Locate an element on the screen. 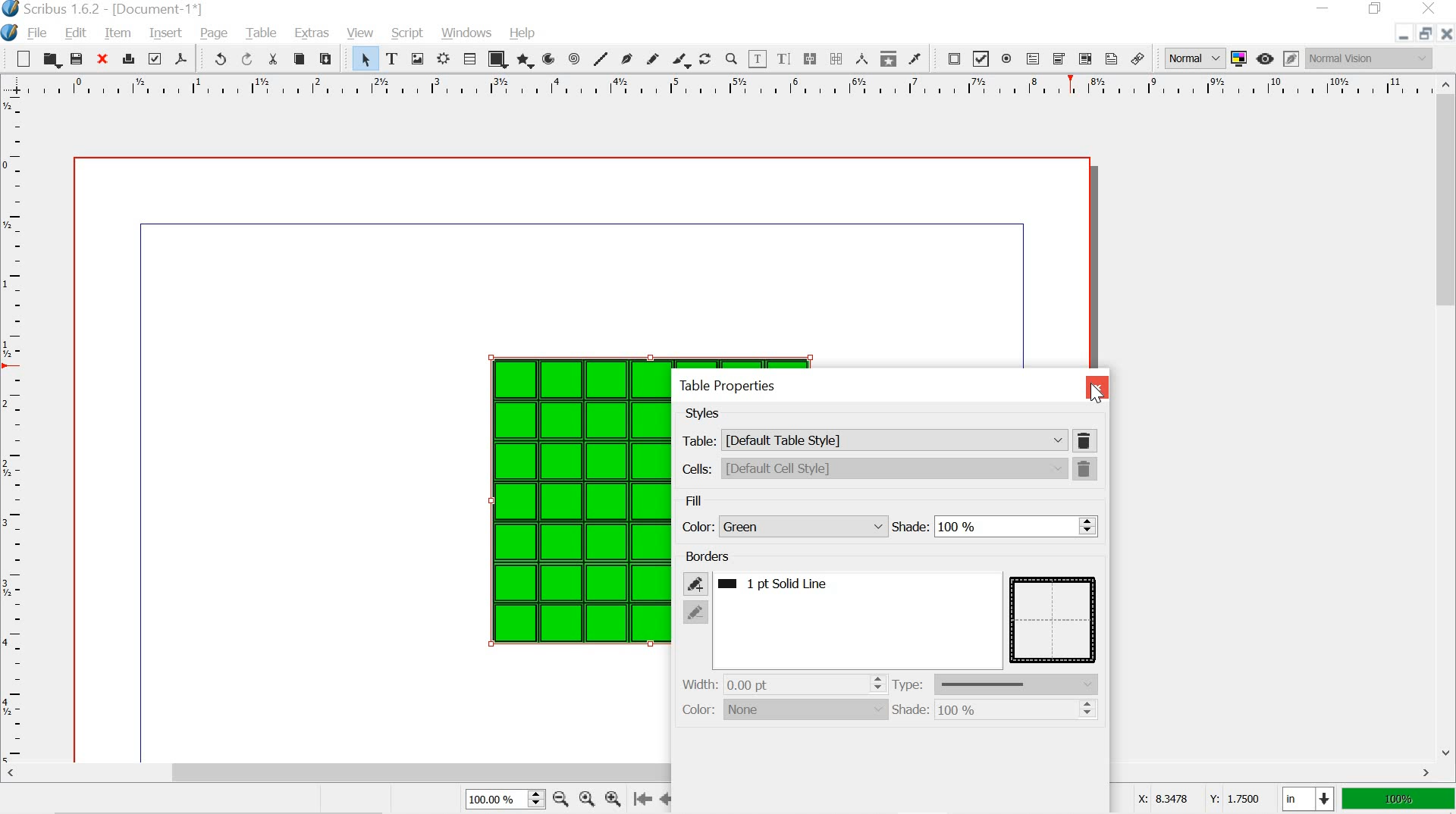 Image resolution: width=1456 pixels, height=814 pixels. go to the perious page is located at coordinates (669, 798).